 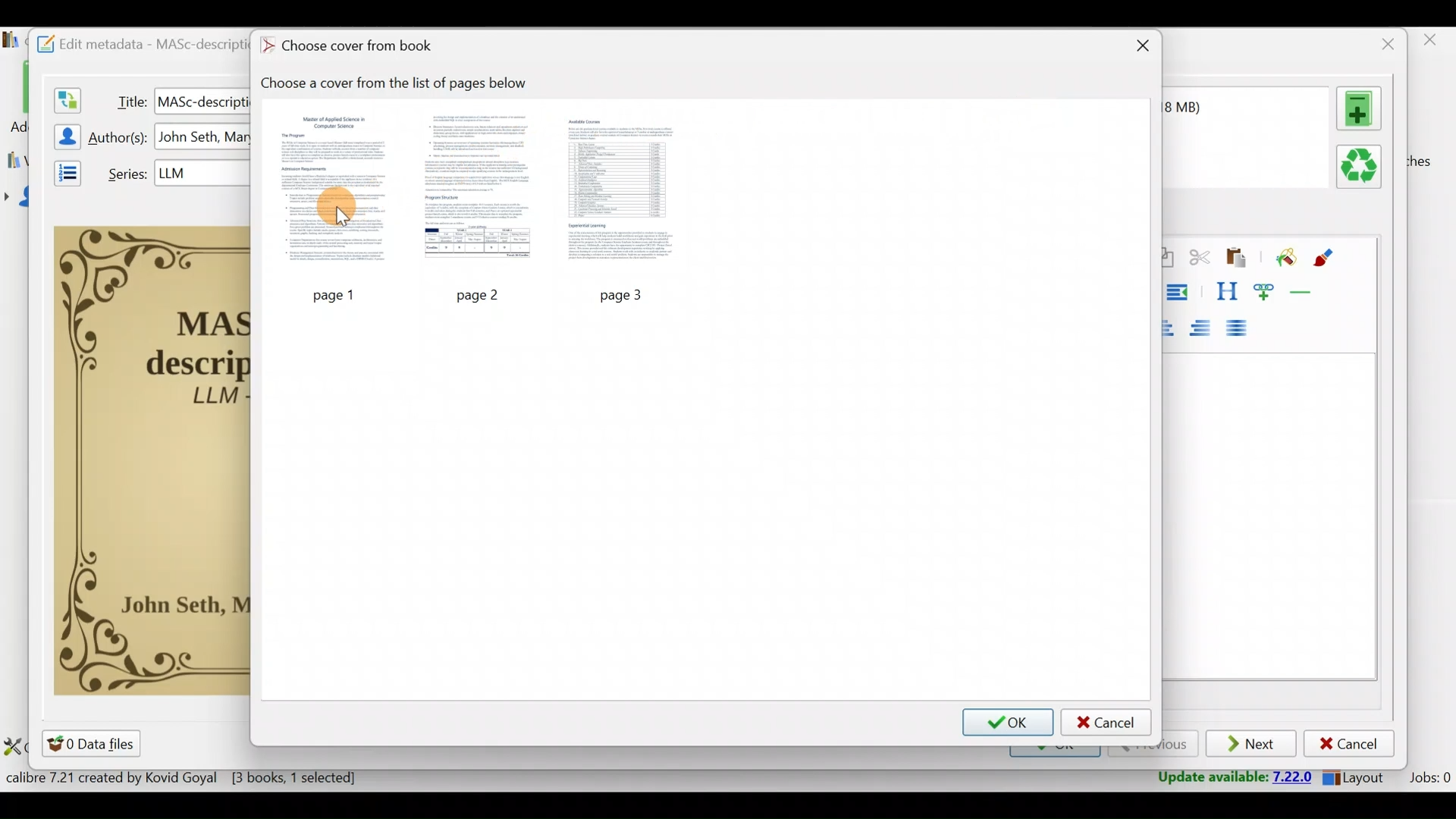 I want to click on Open the manage series editor, so click(x=63, y=171).